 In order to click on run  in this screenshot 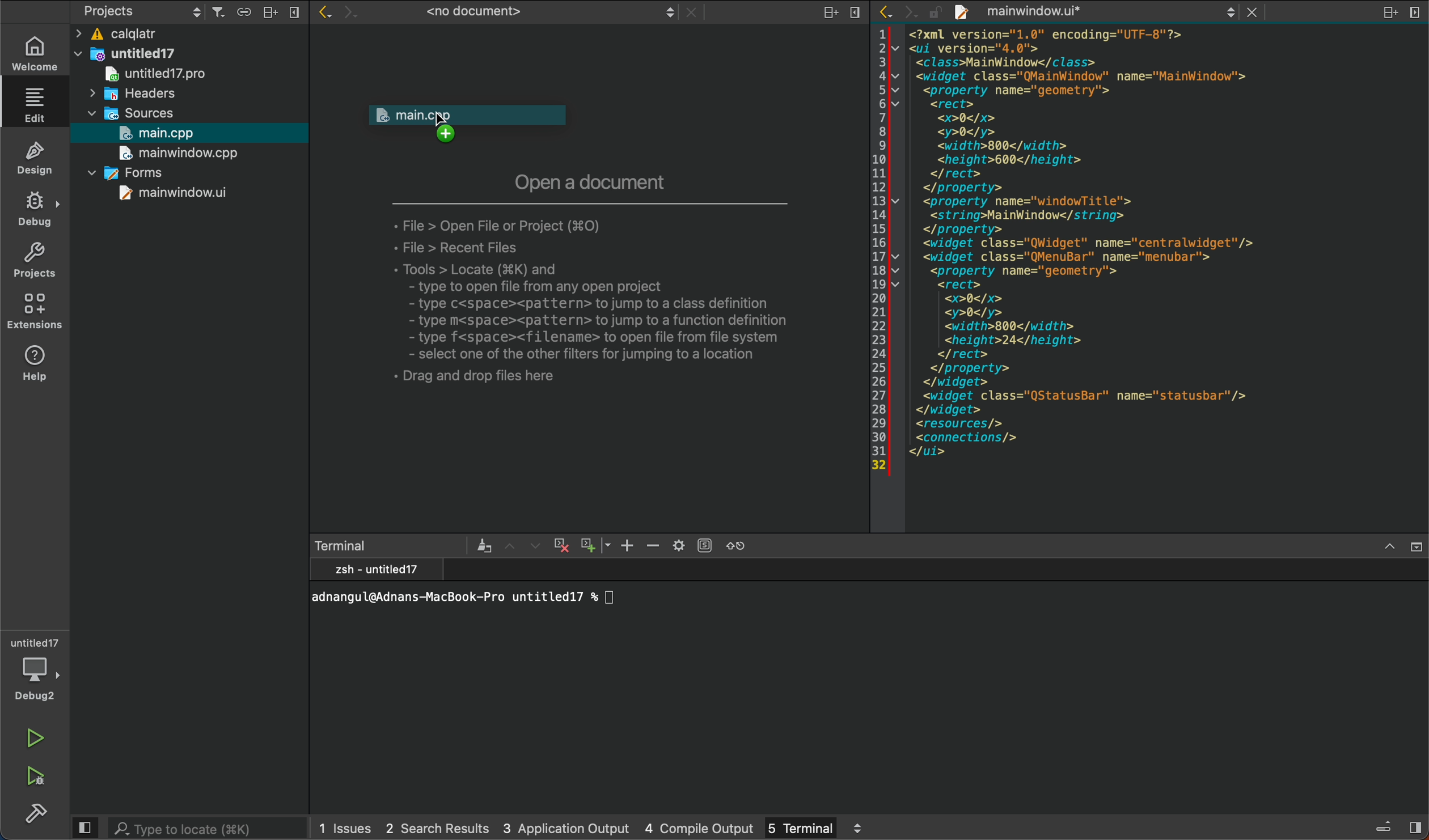, I will do `click(37, 740)`.